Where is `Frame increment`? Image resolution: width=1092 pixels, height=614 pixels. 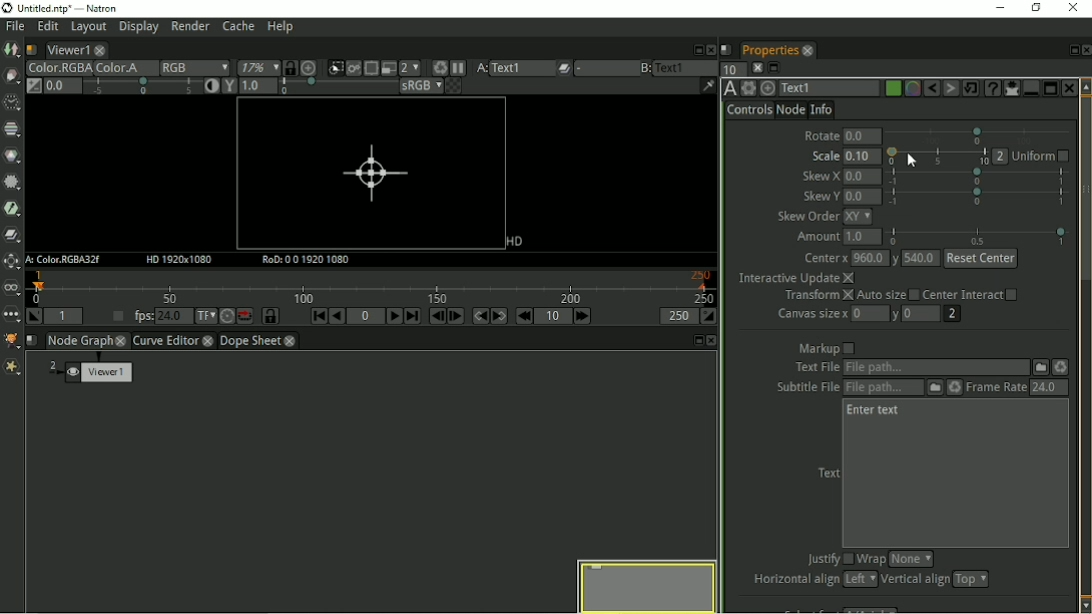 Frame increment is located at coordinates (553, 316).